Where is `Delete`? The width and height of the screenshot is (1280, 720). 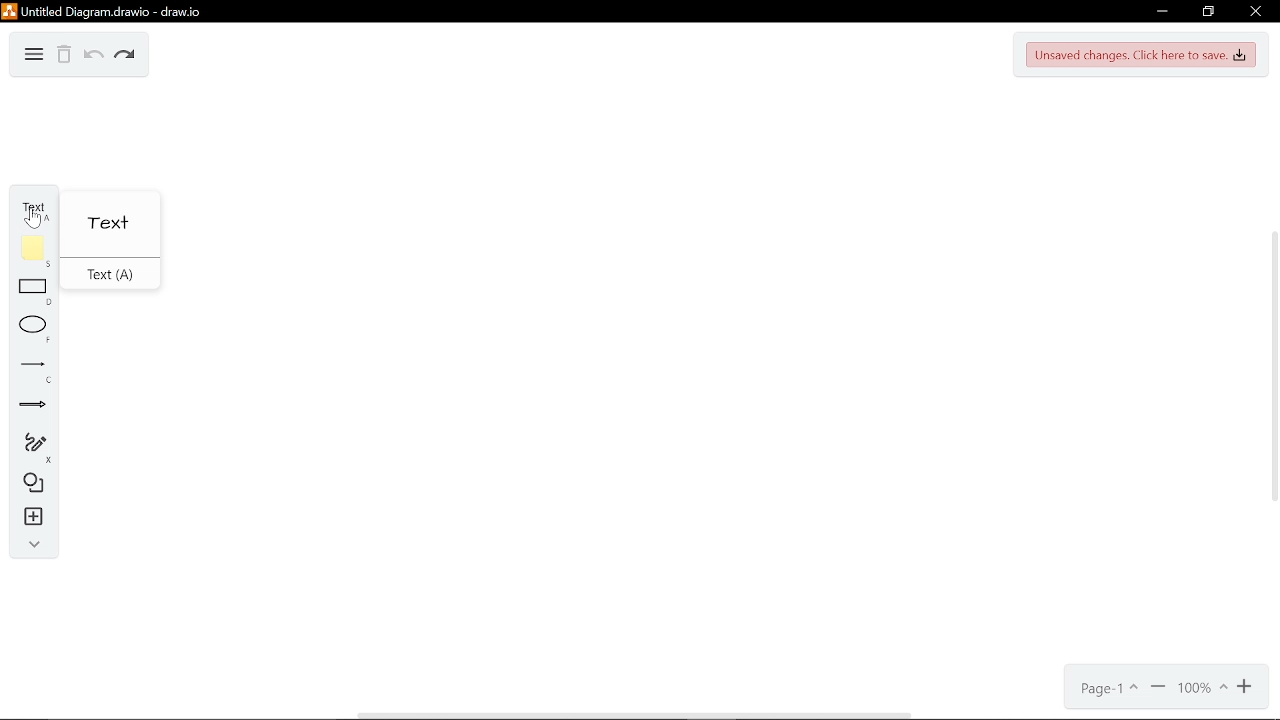
Delete is located at coordinates (64, 56).